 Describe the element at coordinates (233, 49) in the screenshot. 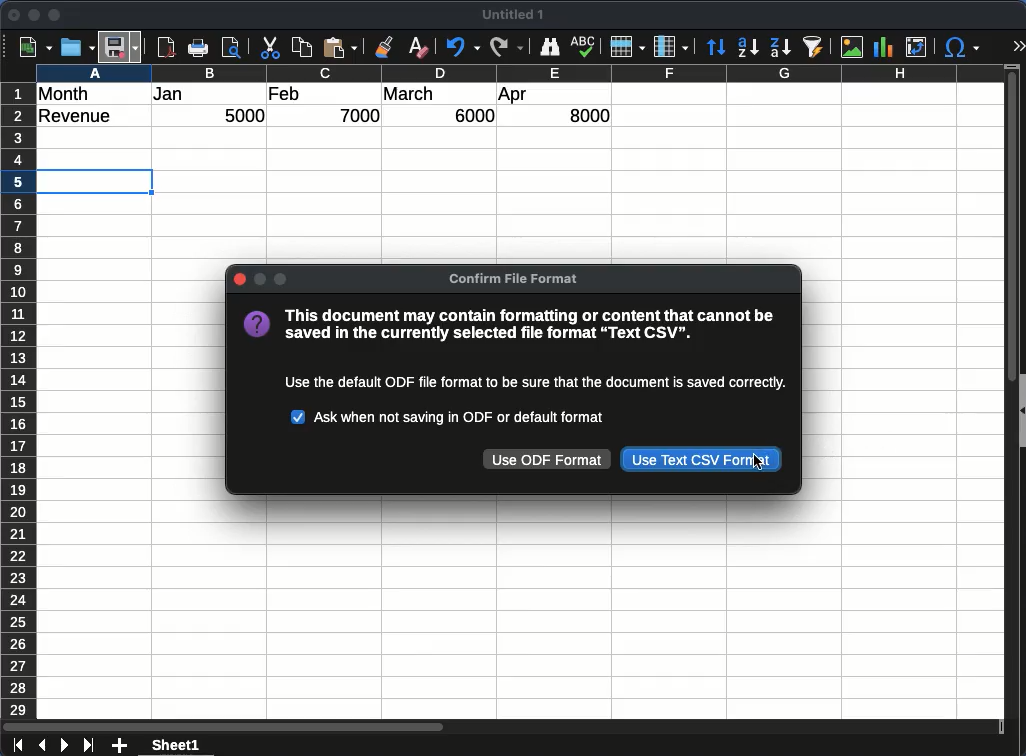

I see `print preview` at that location.